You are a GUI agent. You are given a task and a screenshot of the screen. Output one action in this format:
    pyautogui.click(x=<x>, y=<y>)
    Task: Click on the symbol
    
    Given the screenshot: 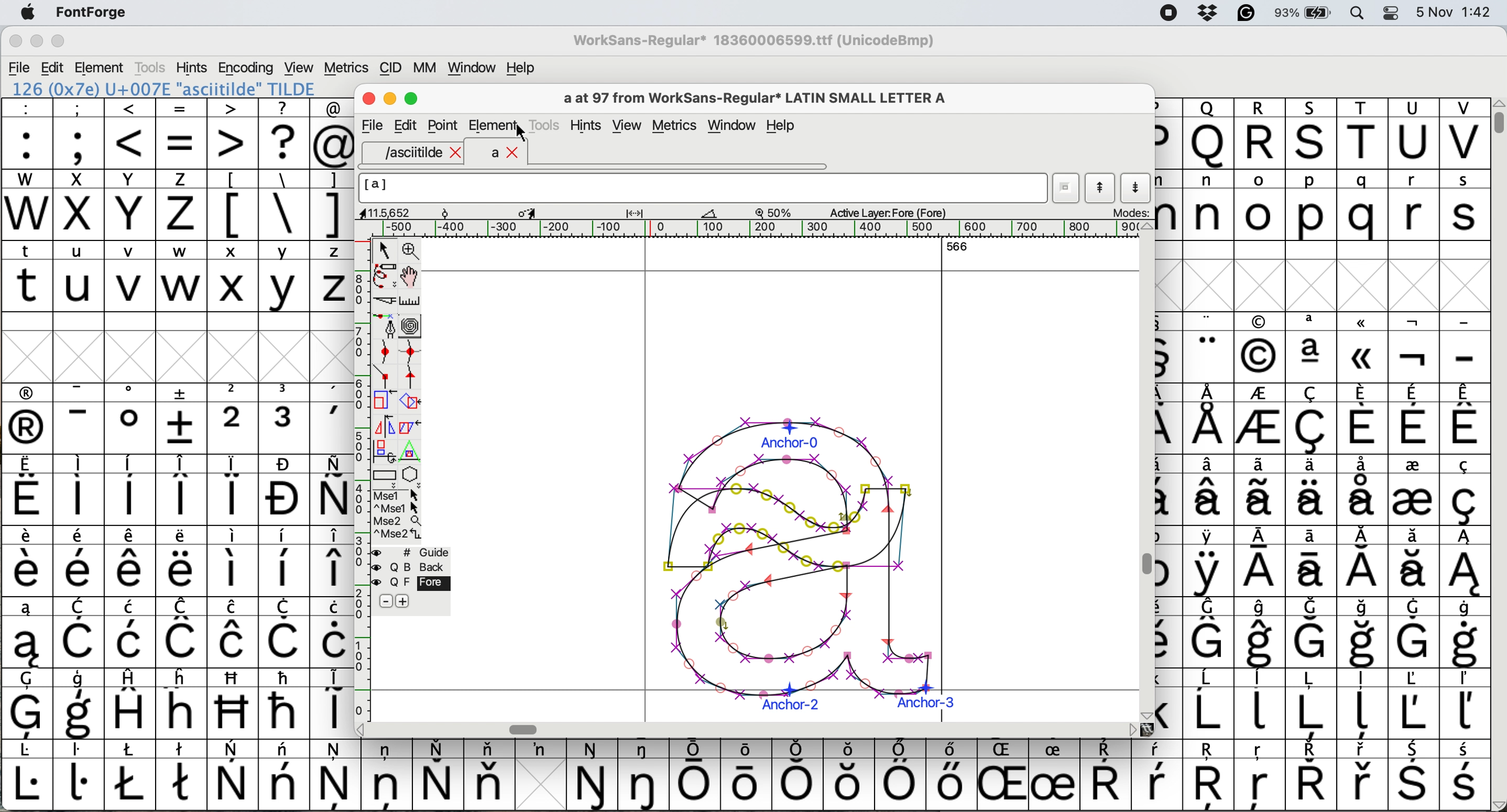 What is the action you would take?
    pyautogui.click(x=332, y=419)
    